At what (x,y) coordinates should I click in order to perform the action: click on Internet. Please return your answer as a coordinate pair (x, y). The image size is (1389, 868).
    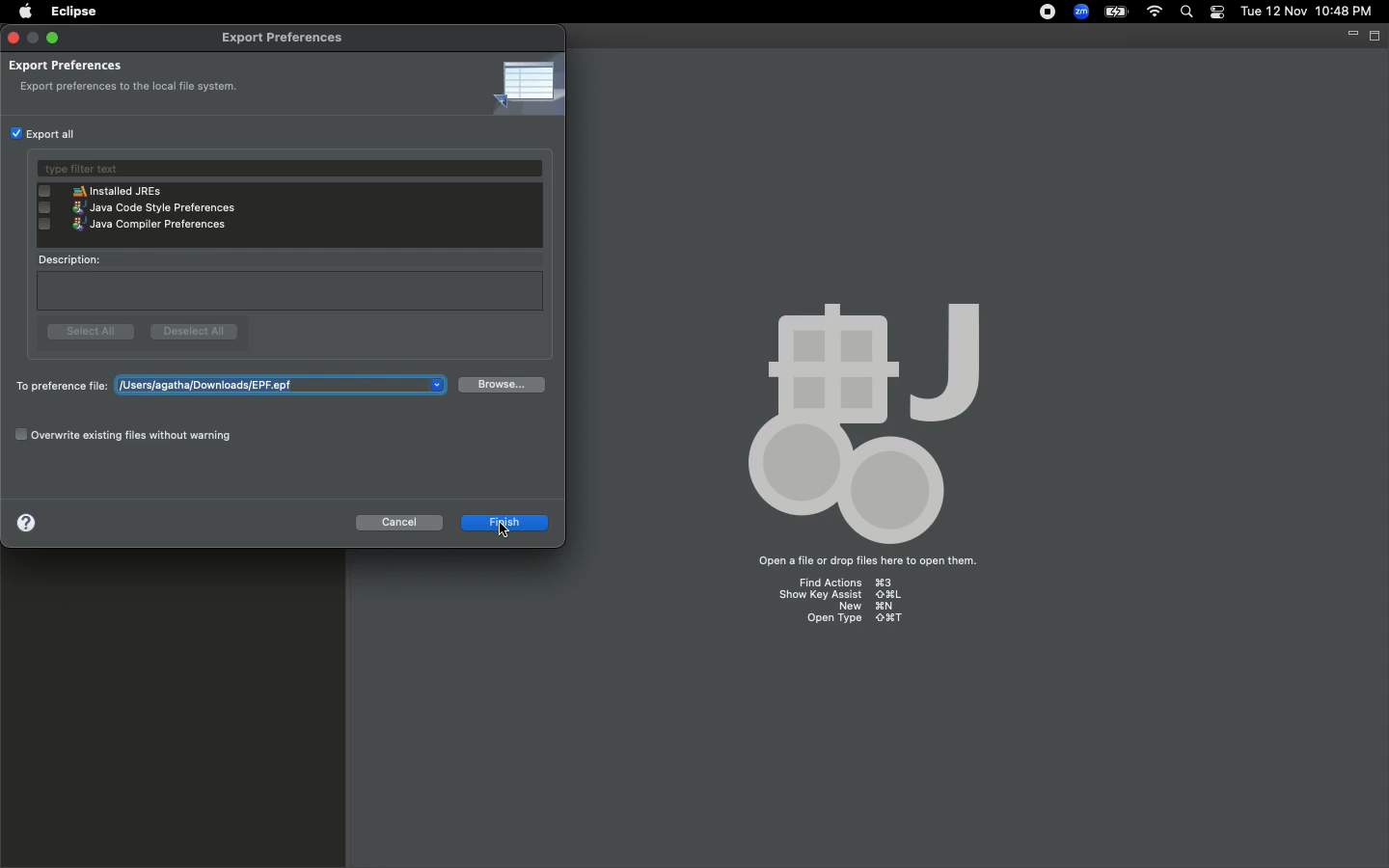
    Looking at the image, I should click on (1157, 12).